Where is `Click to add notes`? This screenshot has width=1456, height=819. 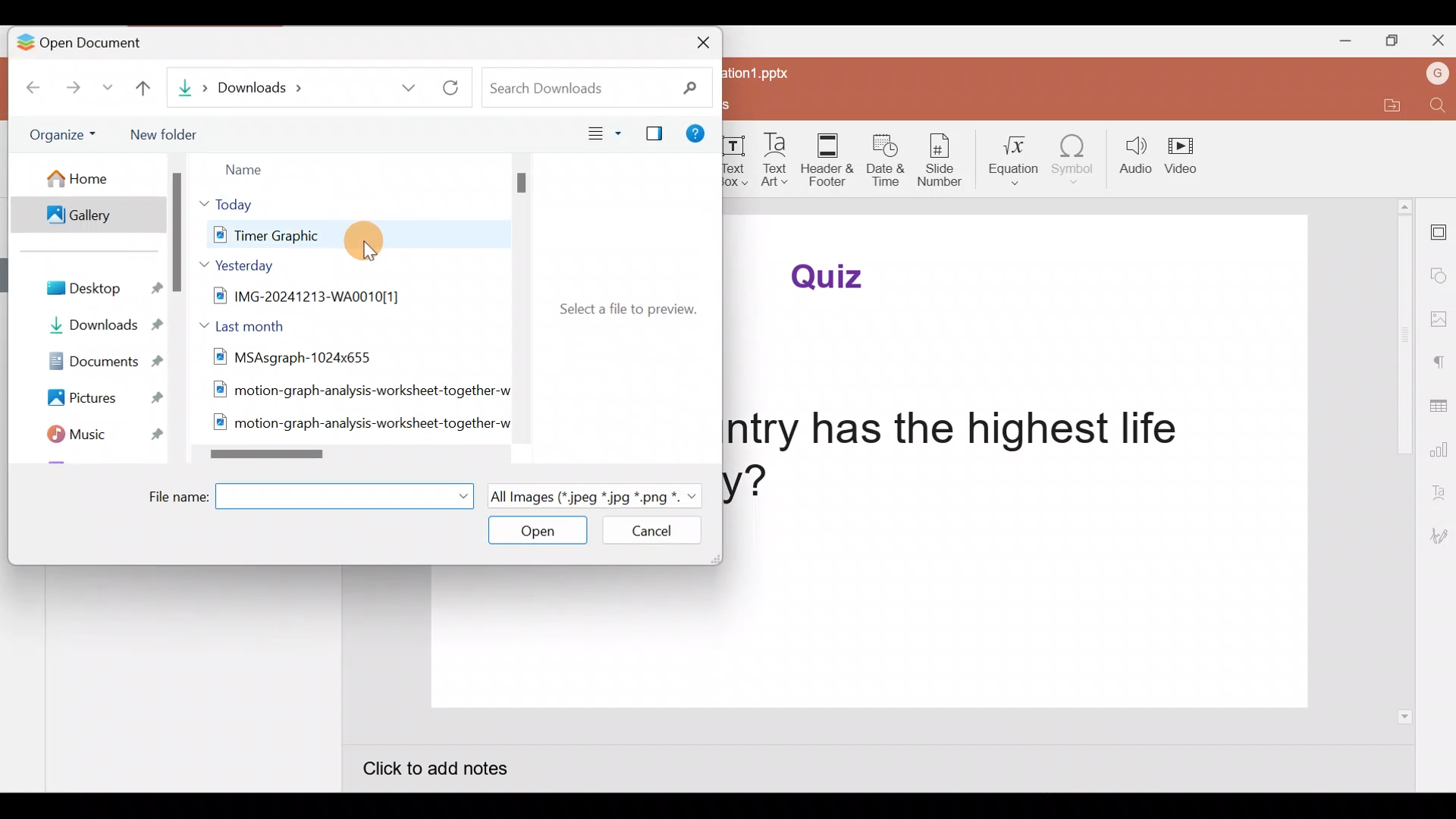
Click to add notes is located at coordinates (450, 772).